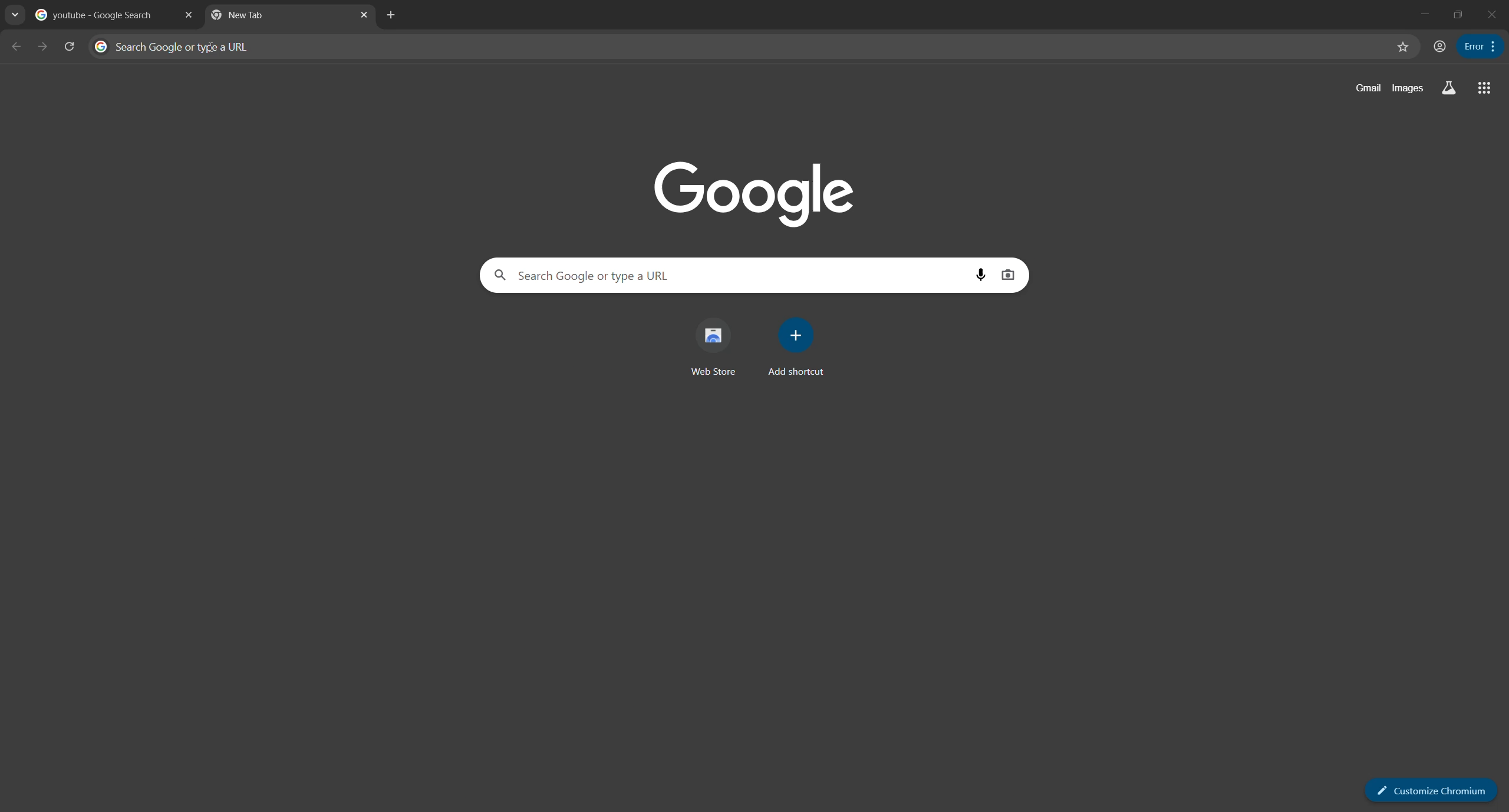  What do you see at coordinates (187, 16) in the screenshot?
I see `close` at bounding box center [187, 16].